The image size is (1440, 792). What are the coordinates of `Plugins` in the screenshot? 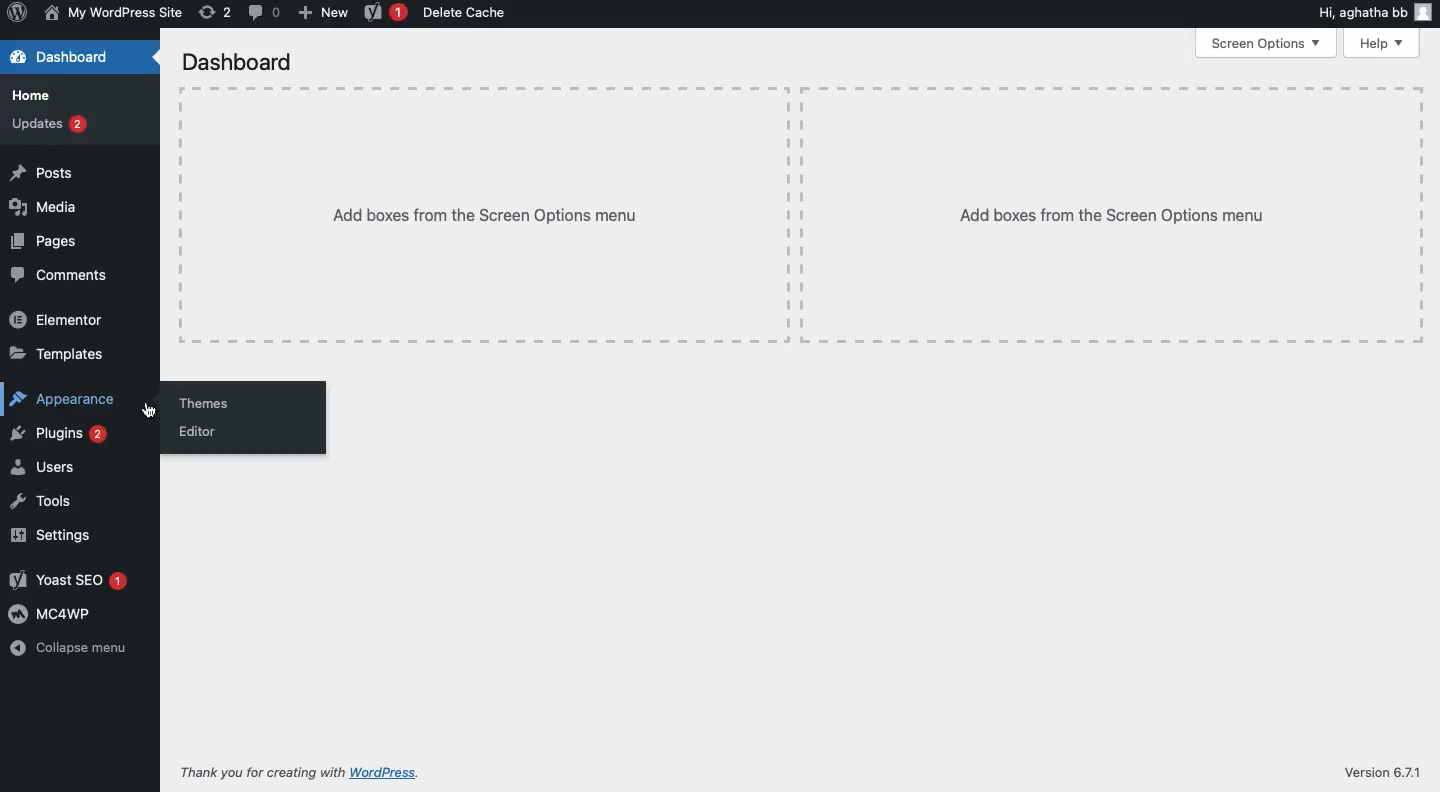 It's located at (62, 436).